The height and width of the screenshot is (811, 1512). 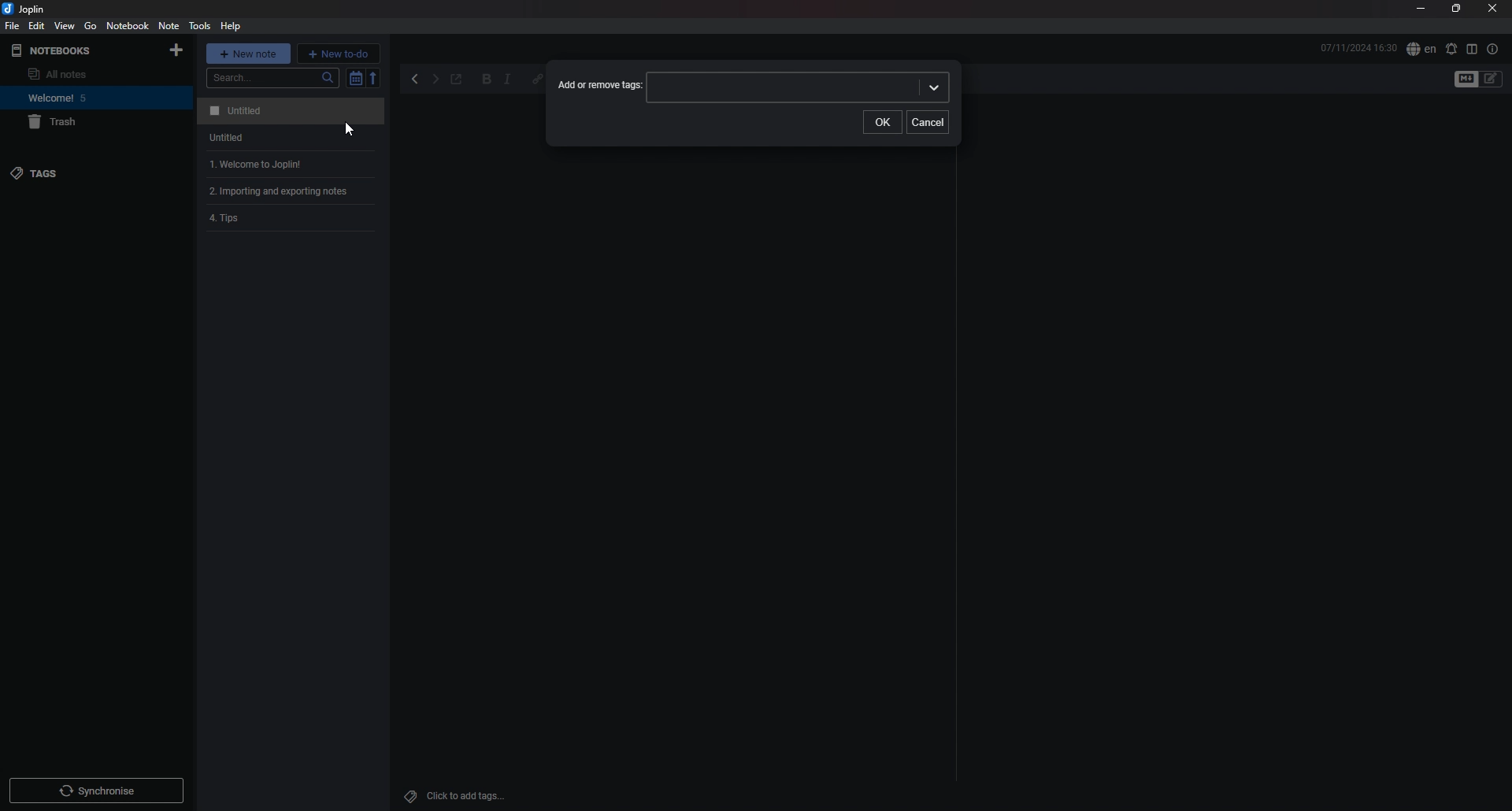 What do you see at coordinates (457, 80) in the screenshot?
I see `toggle external editing` at bounding box center [457, 80].